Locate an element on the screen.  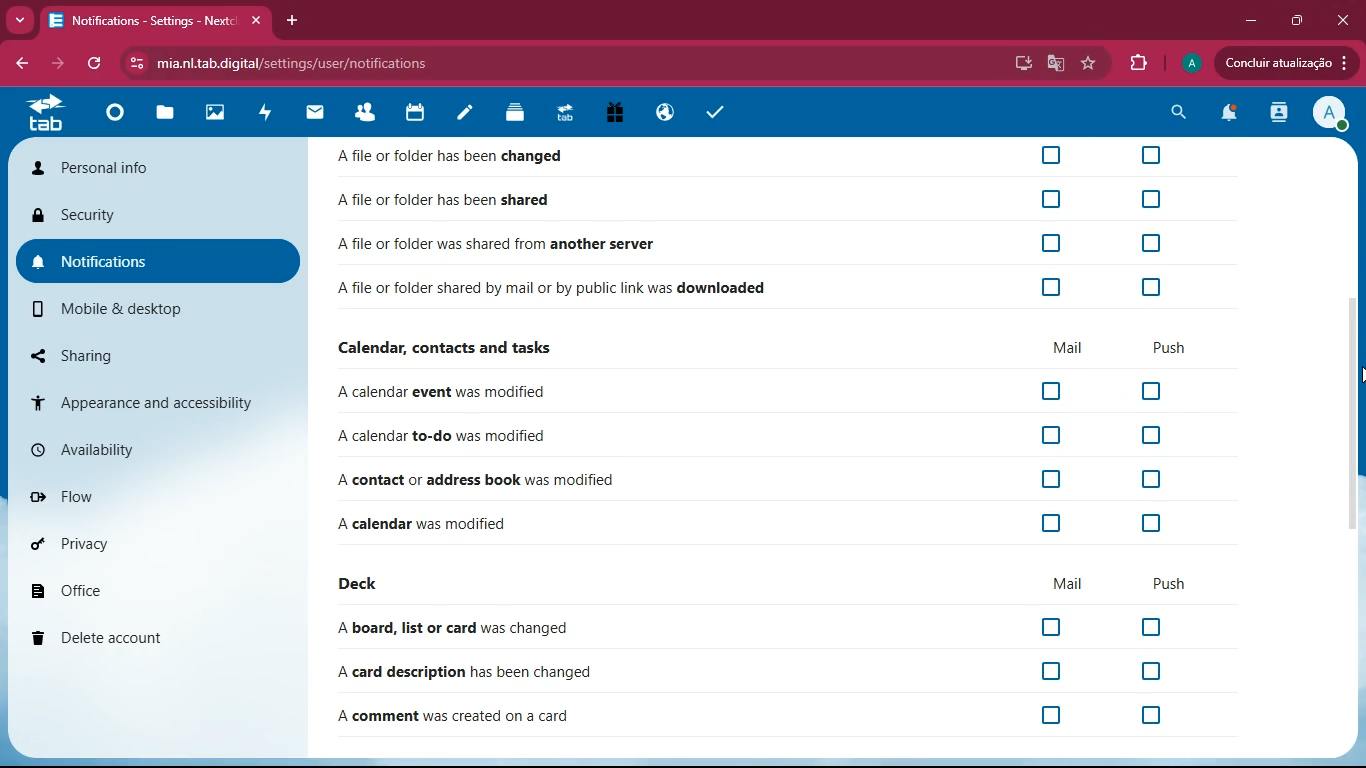
notifications is located at coordinates (149, 264).